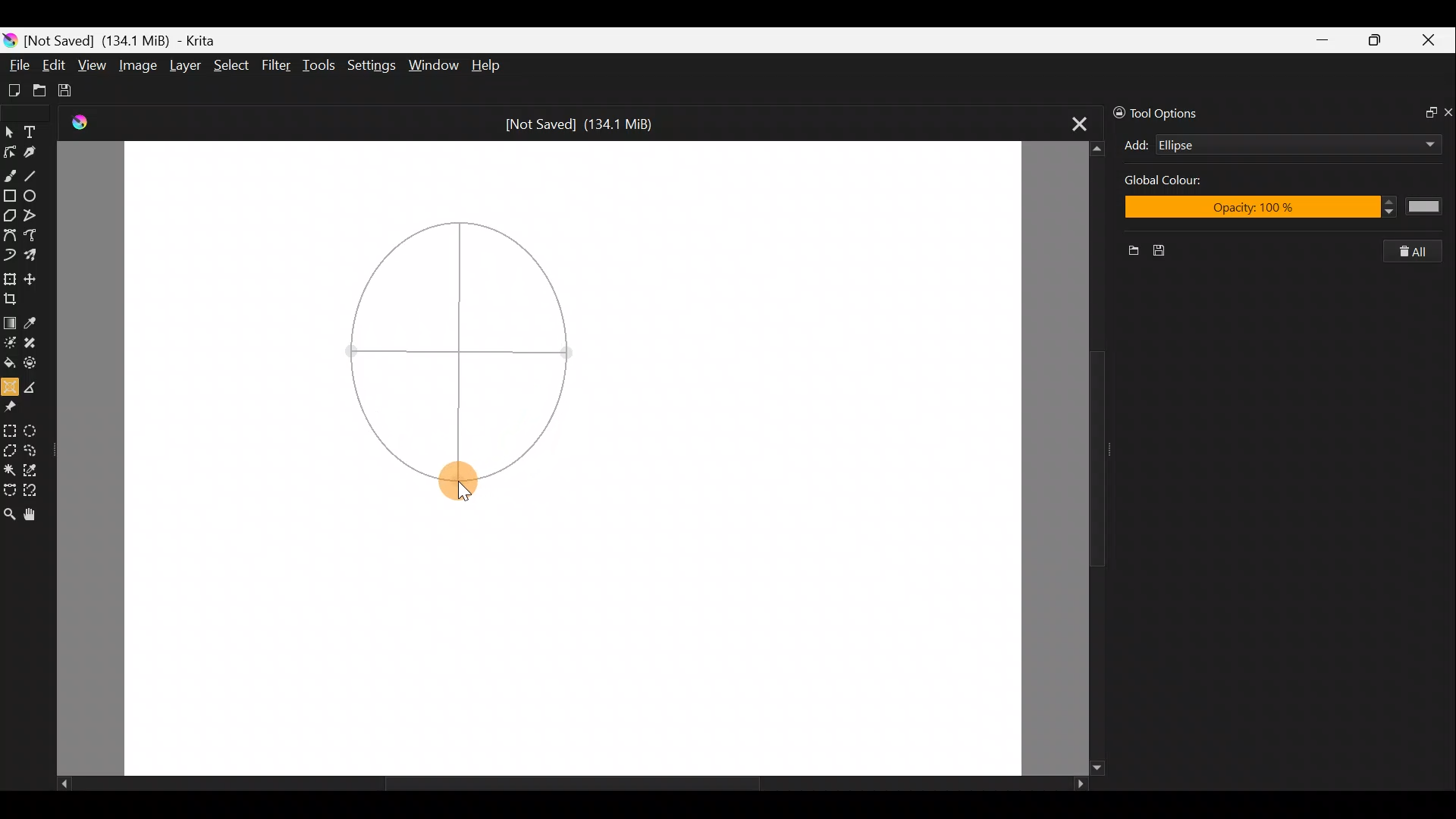 Image resolution: width=1456 pixels, height=819 pixels. What do you see at coordinates (33, 129) in the screenshot?
I see `Text tool` at bounding box center [33, 129].